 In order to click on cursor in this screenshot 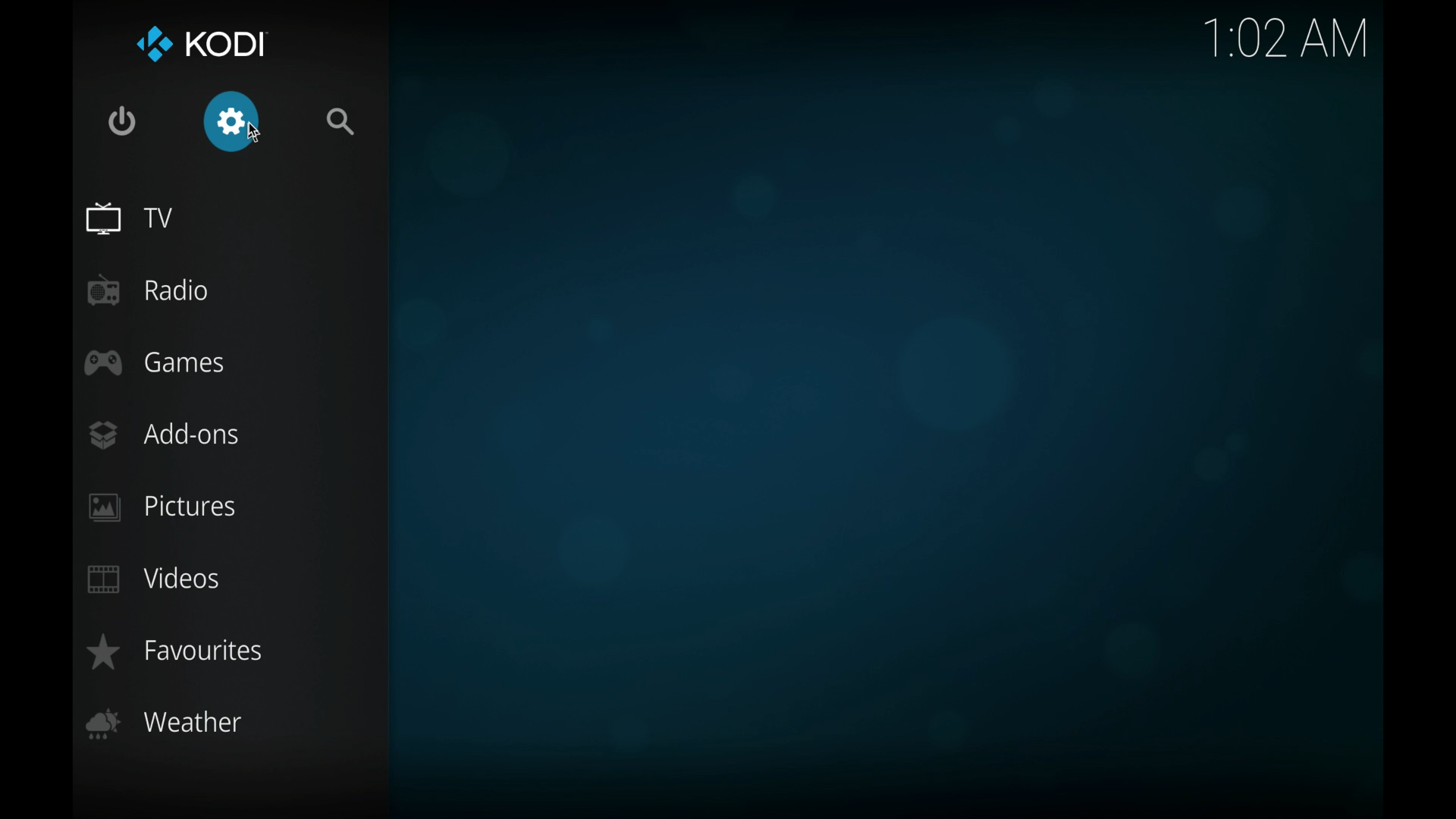, I will do `click(256, 142)`.